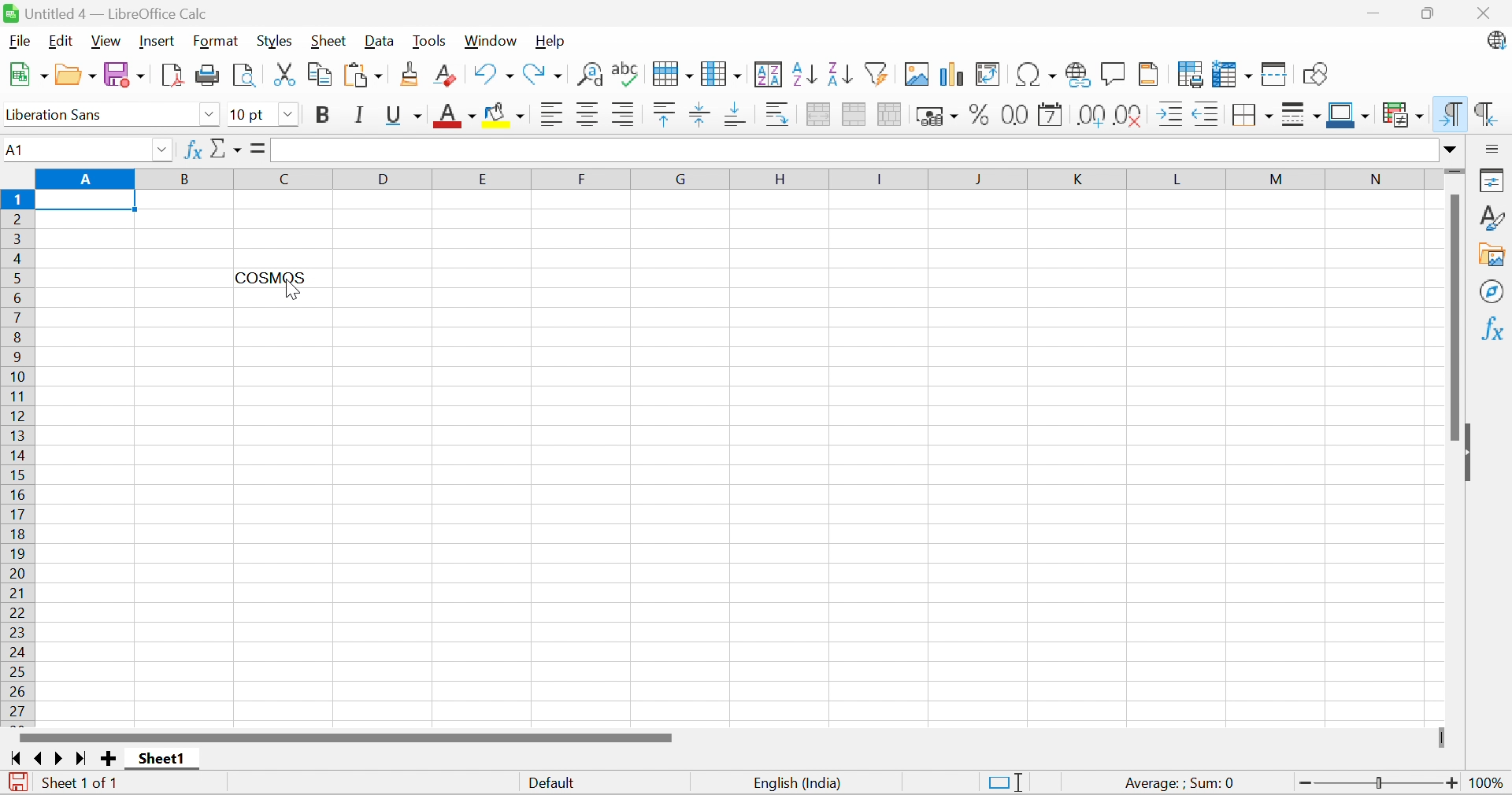 The height and width of the screenshot is (795, 1512). I want to click on Right-To-Left, so click(1488, 113).